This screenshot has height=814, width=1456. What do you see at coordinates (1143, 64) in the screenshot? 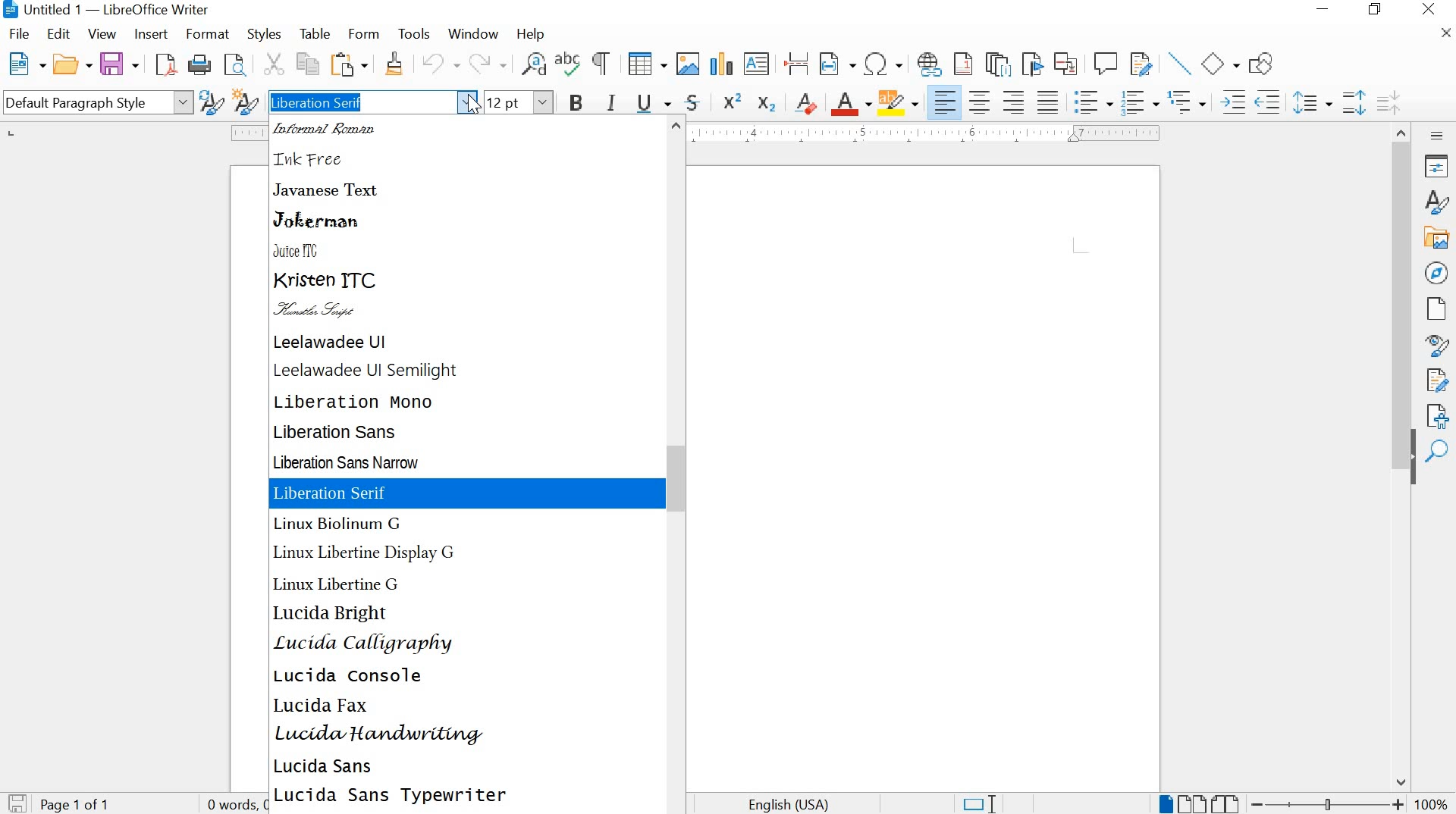
I see `SHOW TRACK CHANGES` at bounding box center [1143, 64].